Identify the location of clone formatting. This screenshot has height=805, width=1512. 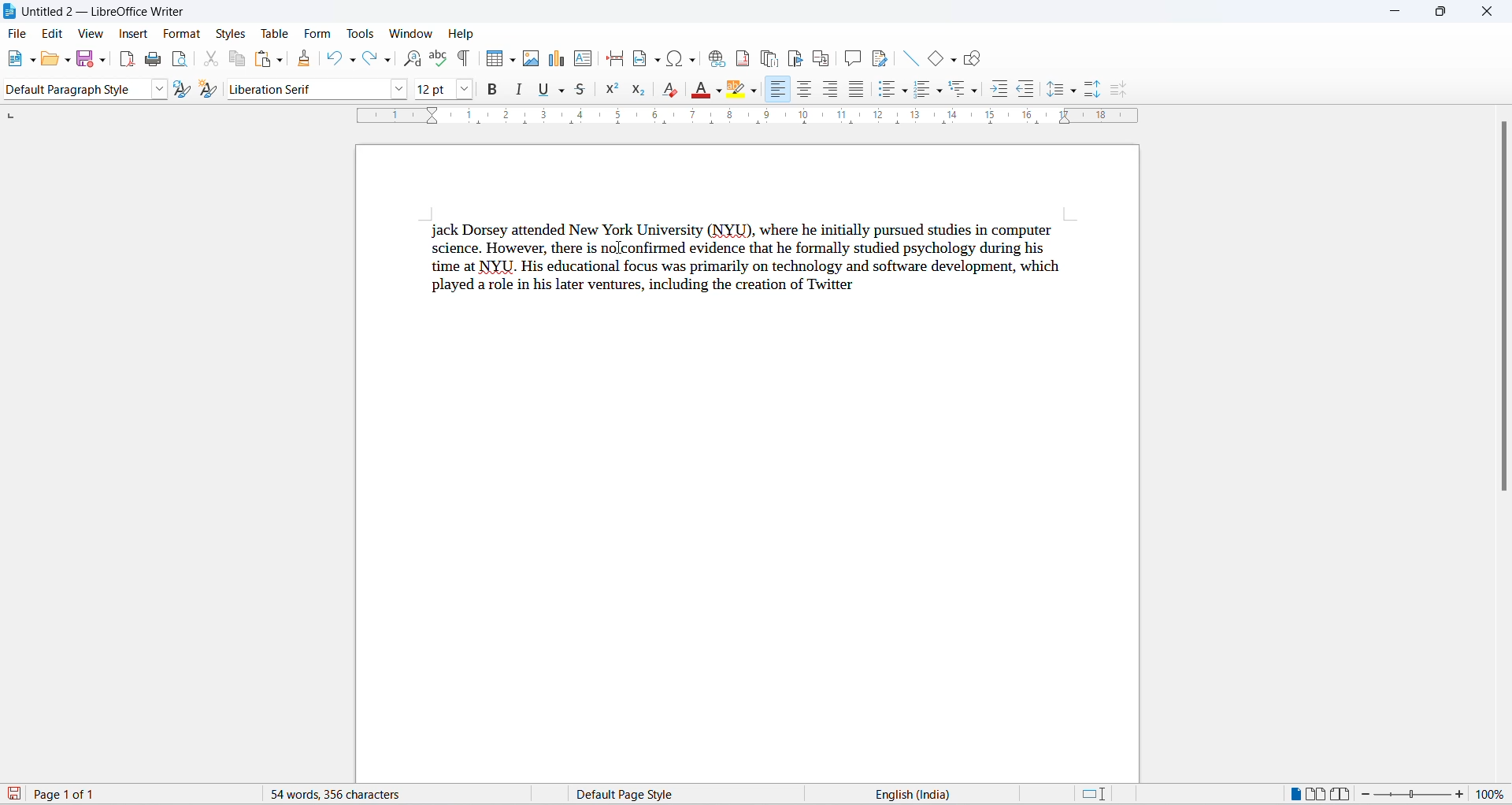
(306, 58).